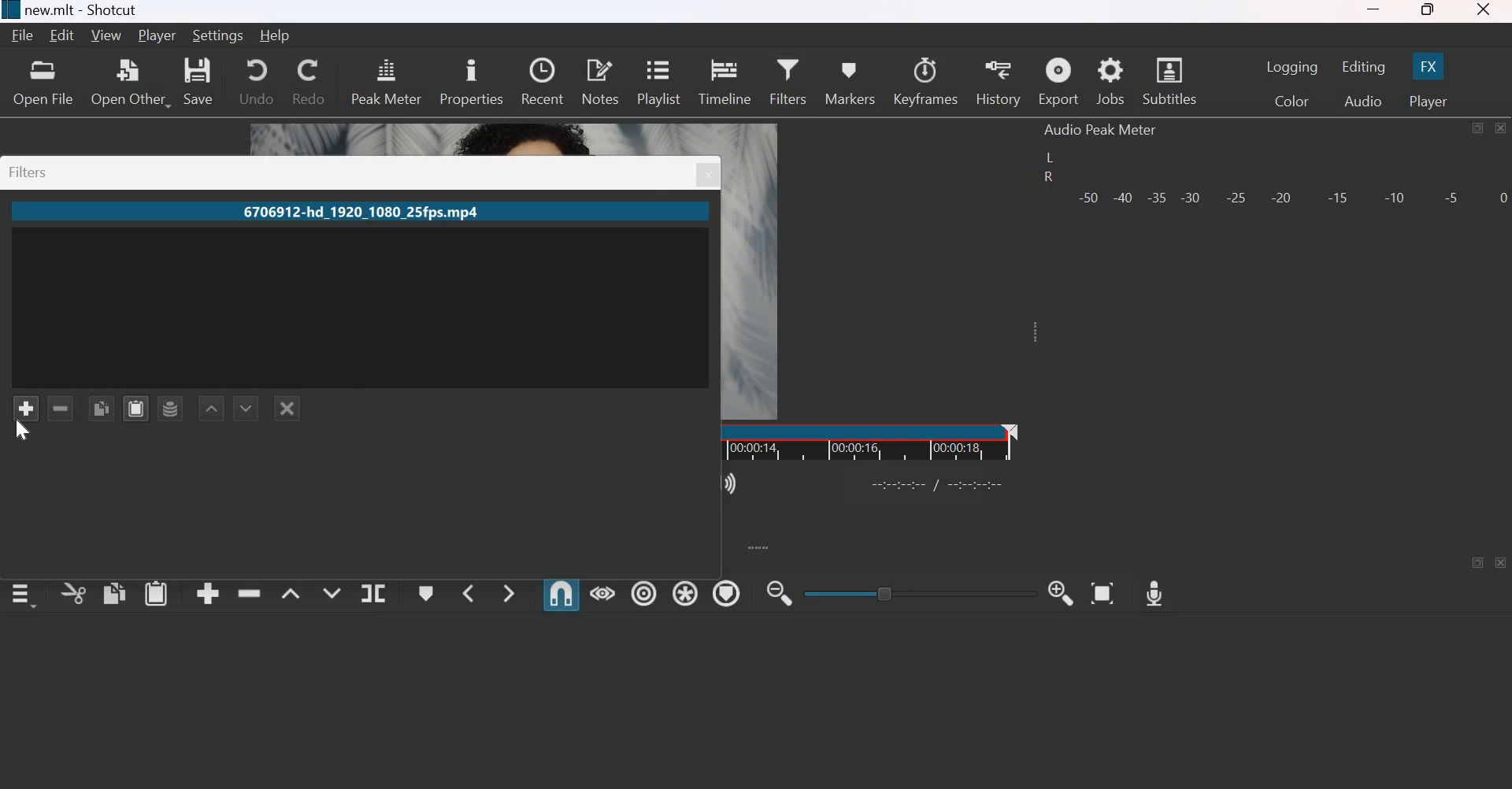 The width and height of the screenshot is (1512, 789). What do you see at coordinates (74, 595) in the screenshot?
I see `cut` at bounding box center [74, 595].